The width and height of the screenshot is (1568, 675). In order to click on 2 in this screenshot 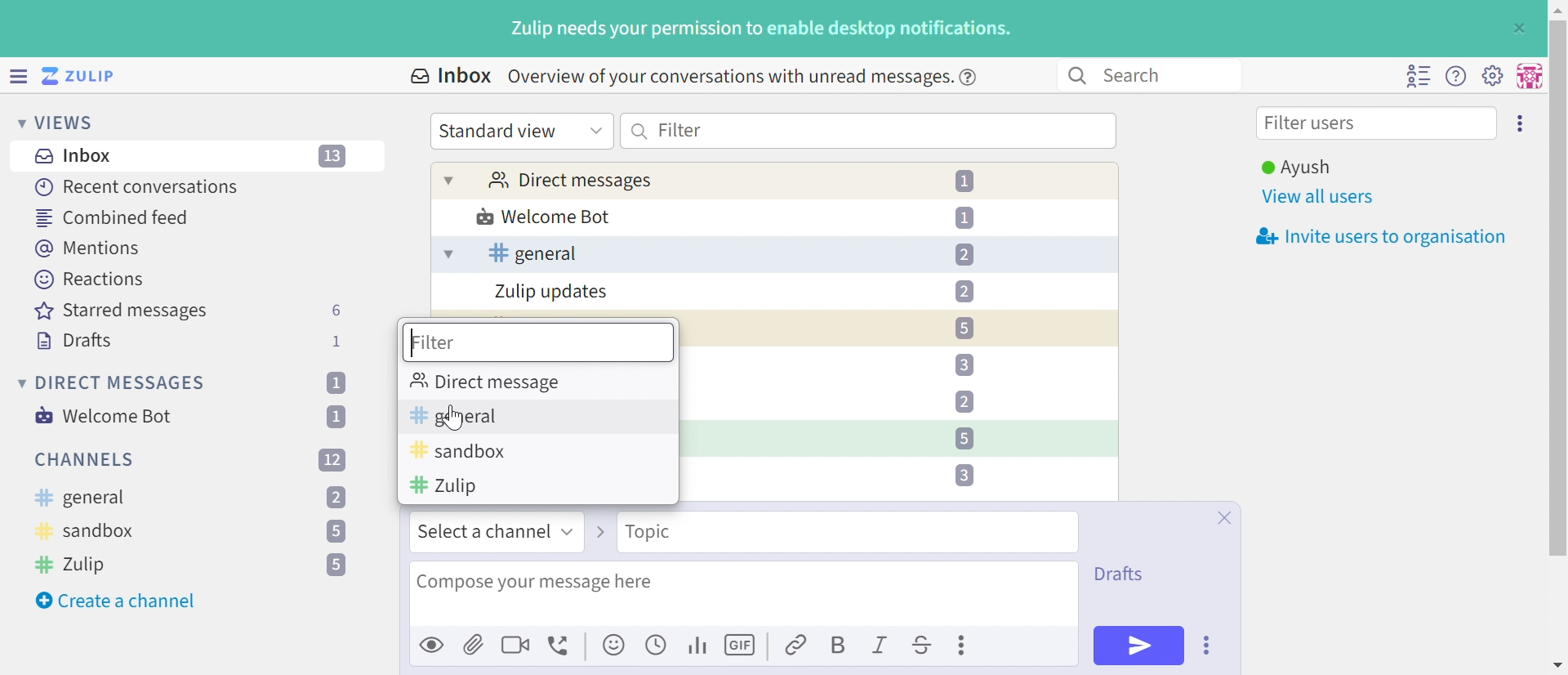, I will do `click(336, 498)`.